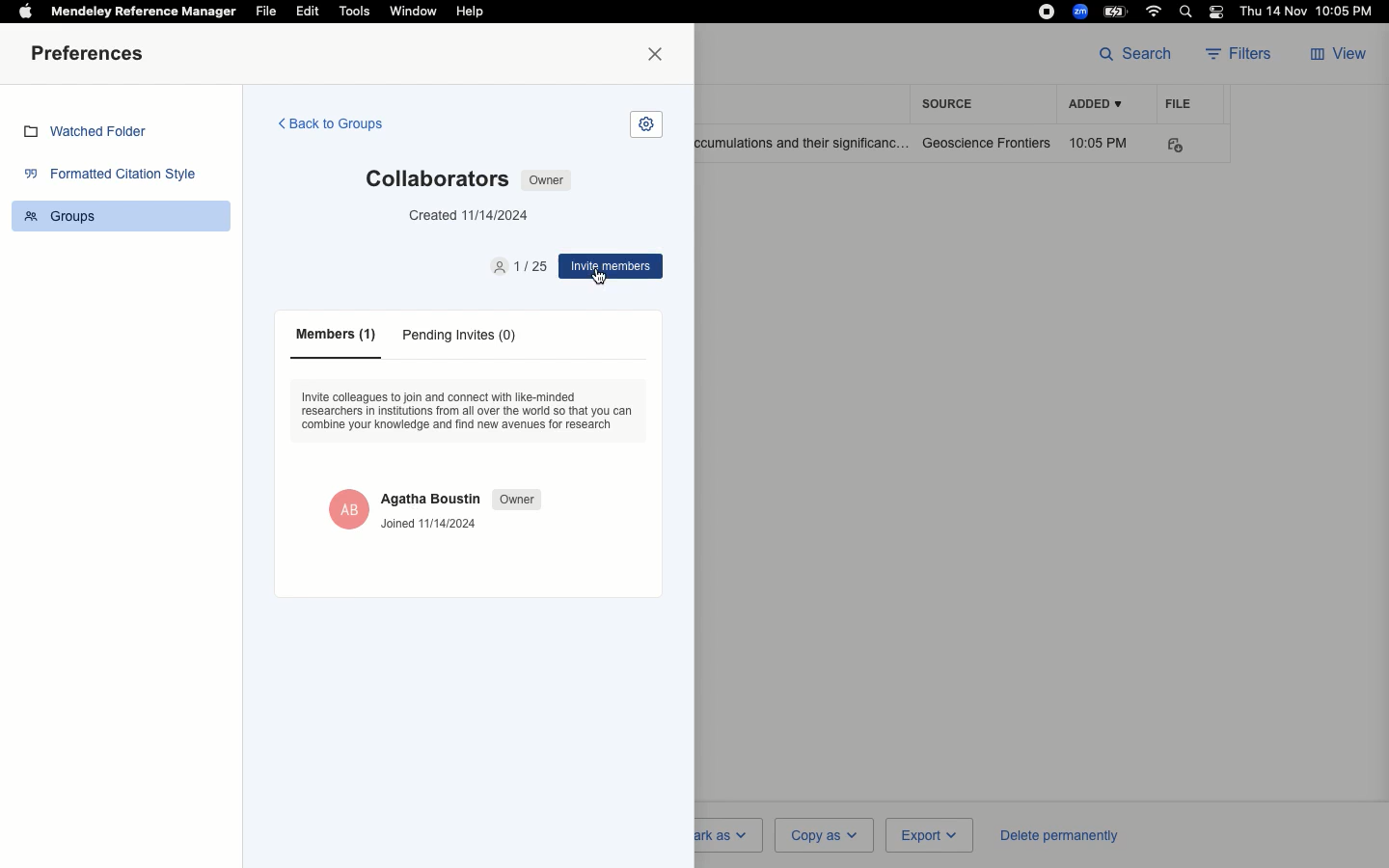 Image resolution: width=1389 pixels, height=868 pixels. What do you see at coordinates (347, 507) in the screenshot?
I see `User details` at bounding box center [347, 507].